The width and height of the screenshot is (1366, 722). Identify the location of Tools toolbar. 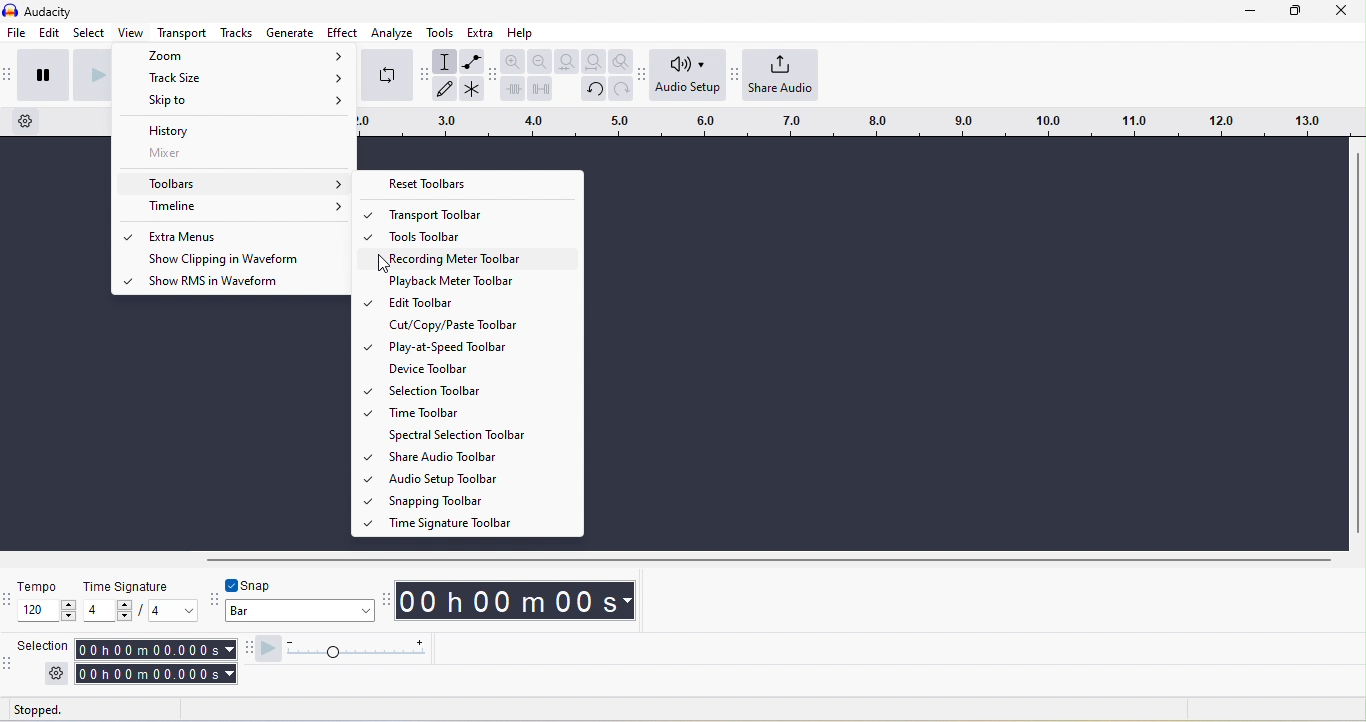
(479, 235).